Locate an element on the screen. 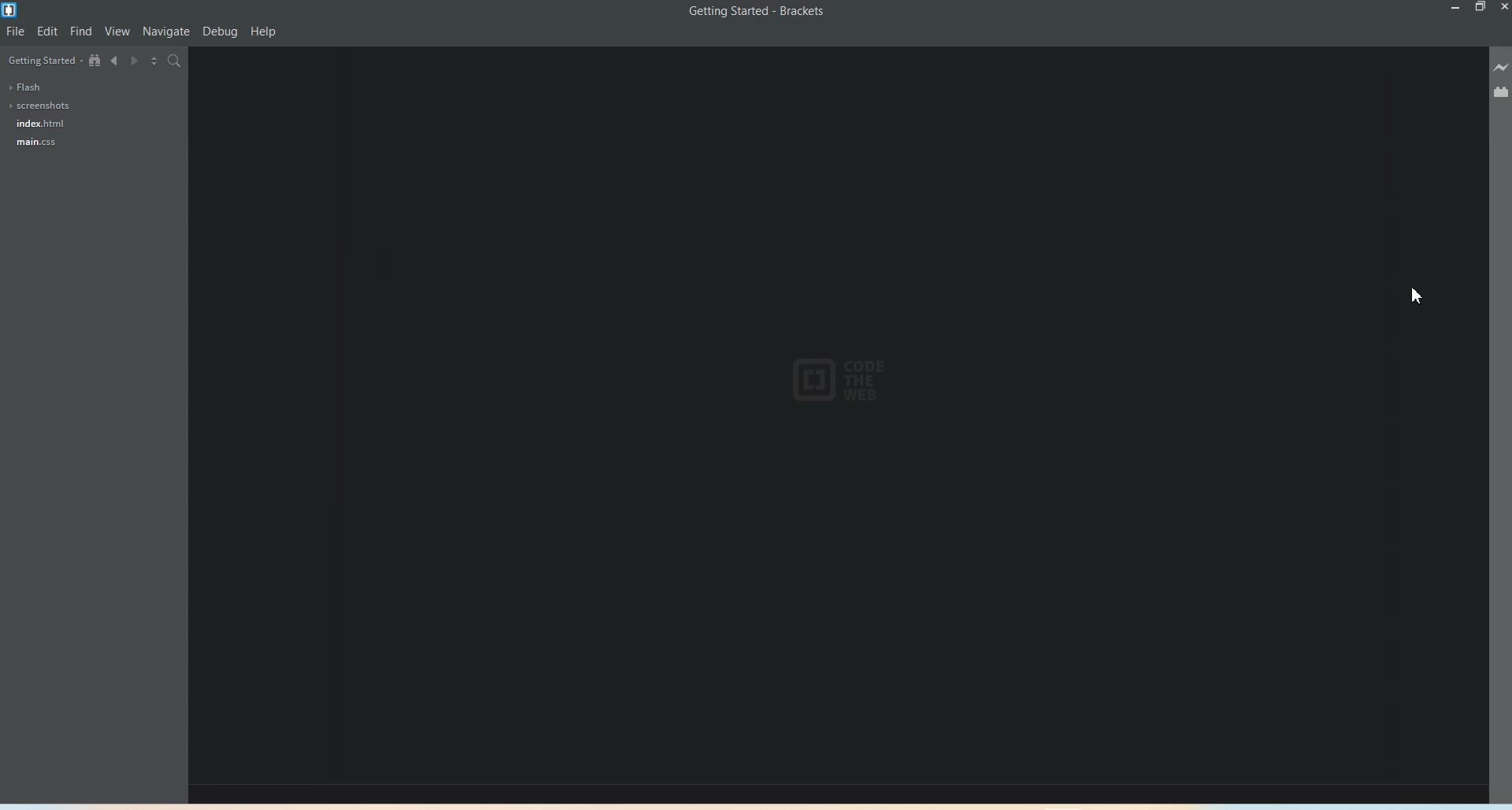  Maximize is located at coordinates (1481, 9).